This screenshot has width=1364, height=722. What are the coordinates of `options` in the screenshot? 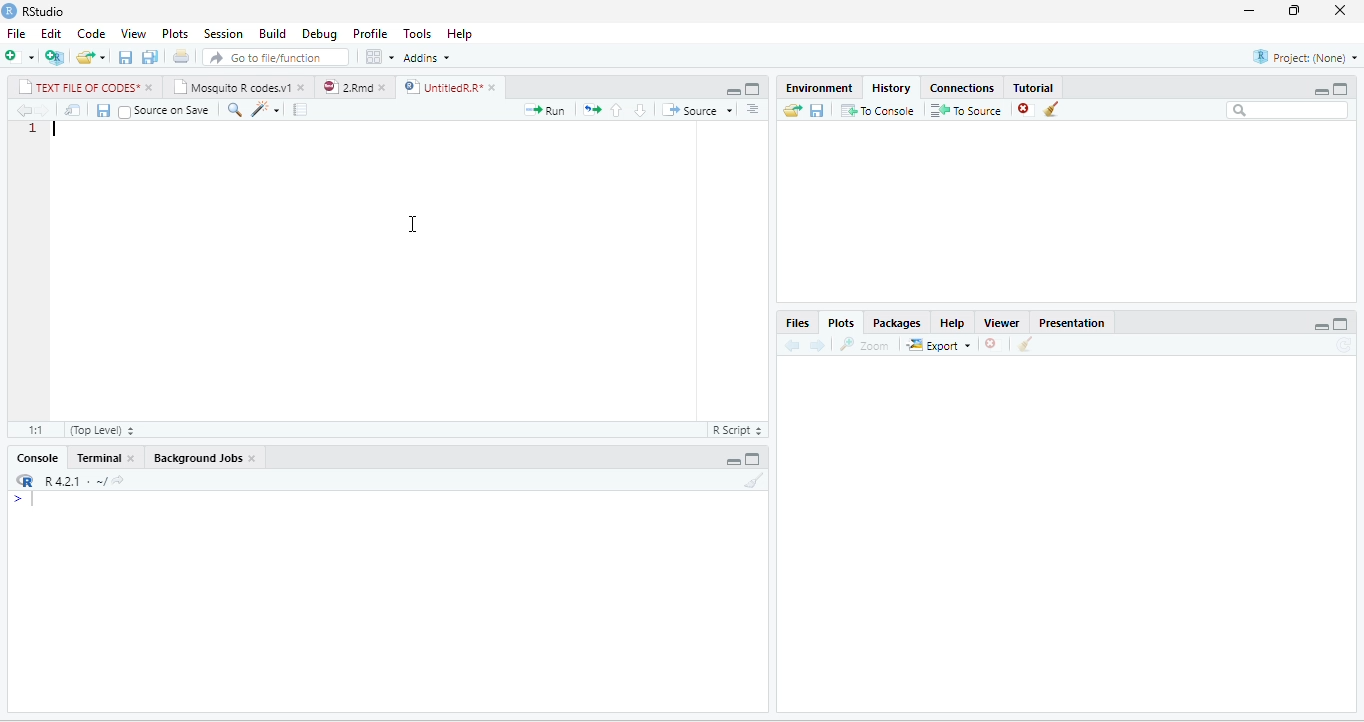 It's located at (381, 57).